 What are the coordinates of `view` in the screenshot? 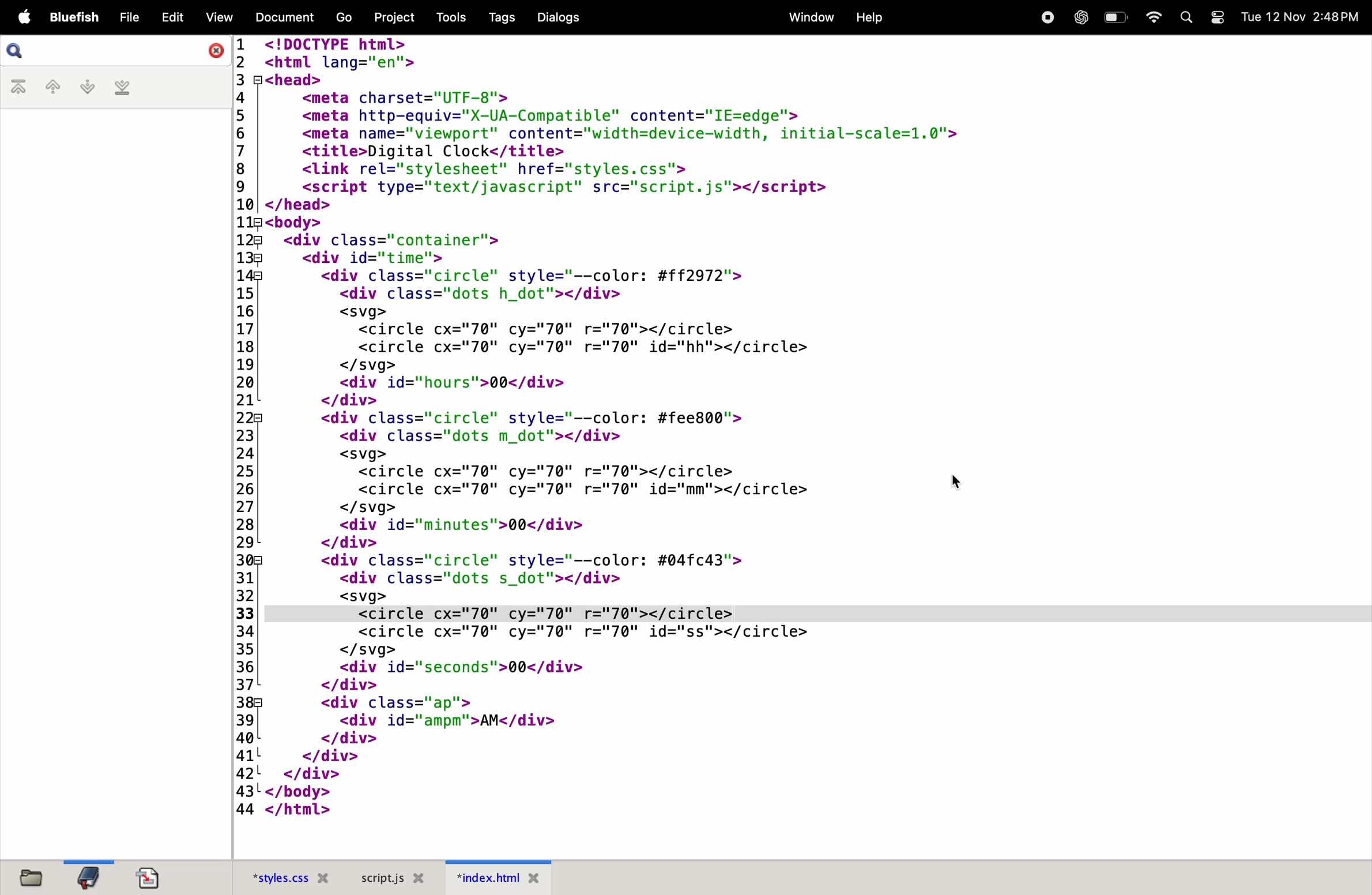 It's located at (220, 17).